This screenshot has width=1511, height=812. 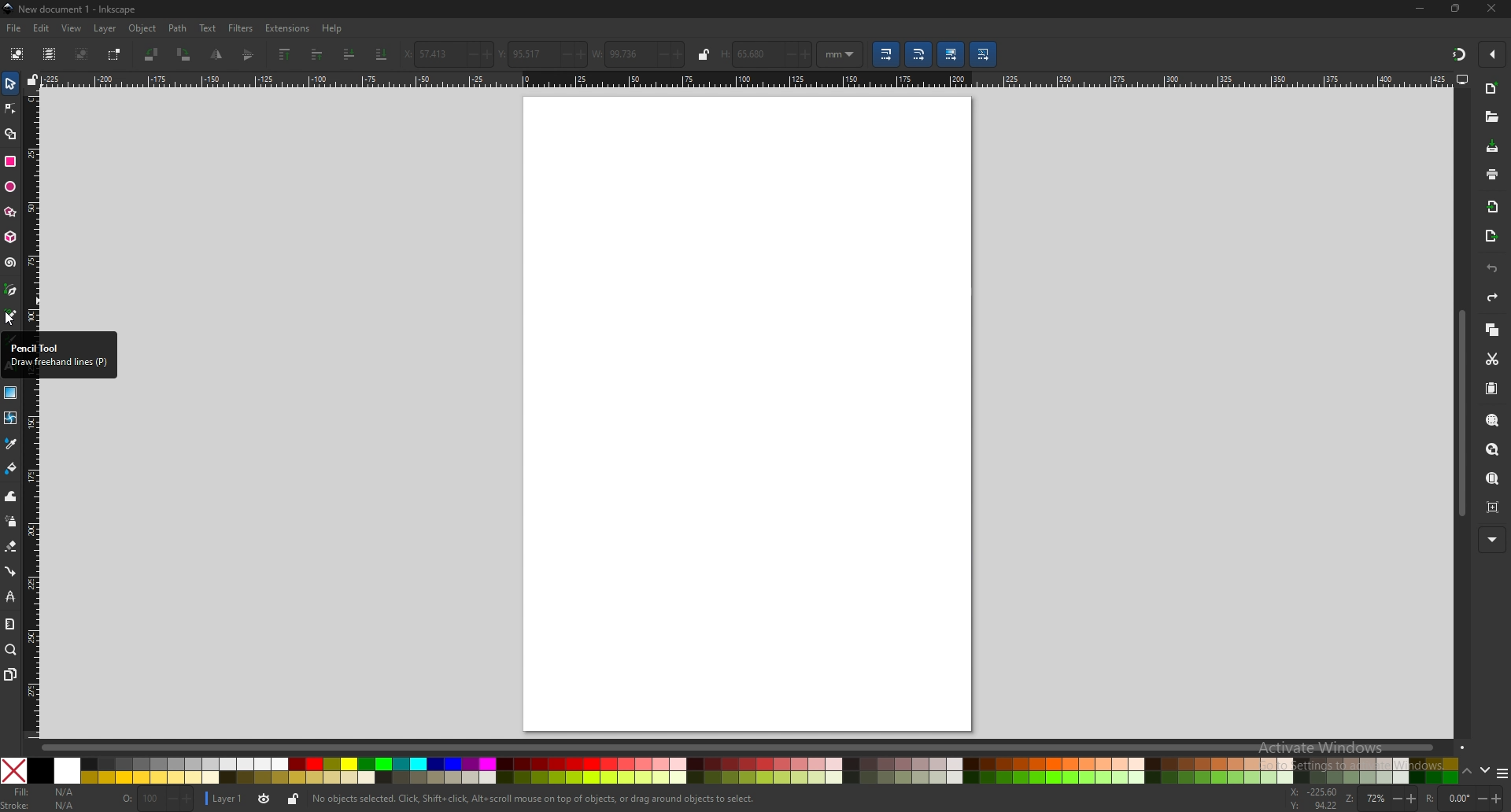 I want to click on select all objects, so click(x=18, y=54).